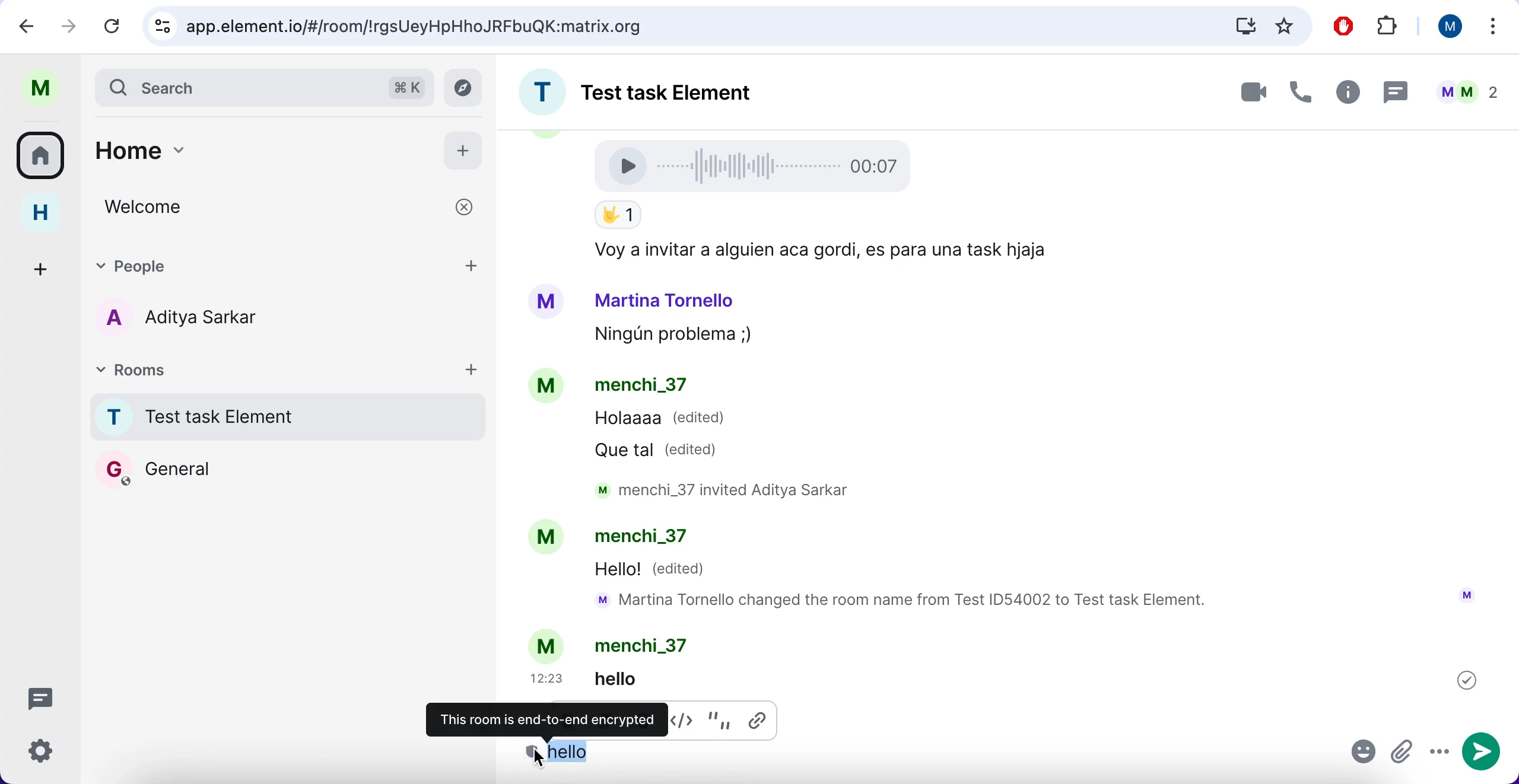 This screenshot has height=784, width=1519. What do you see at coordinates (651, 539) in the screenshot?
I see `menchi_37` at bounding box center [651, 539].